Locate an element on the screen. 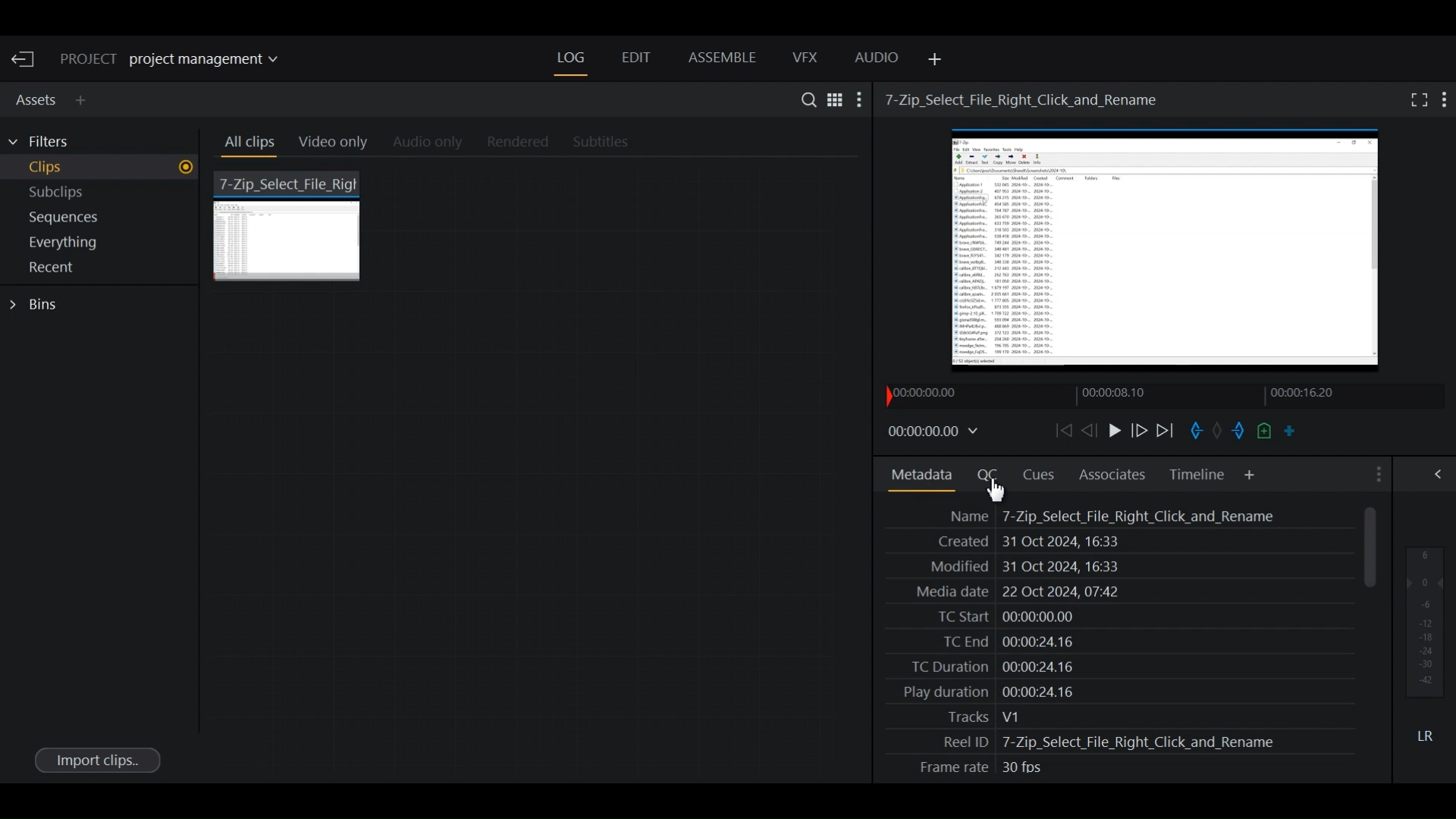 The image size is (1456, 819). Tracks is located at coordinates (1096, 717).